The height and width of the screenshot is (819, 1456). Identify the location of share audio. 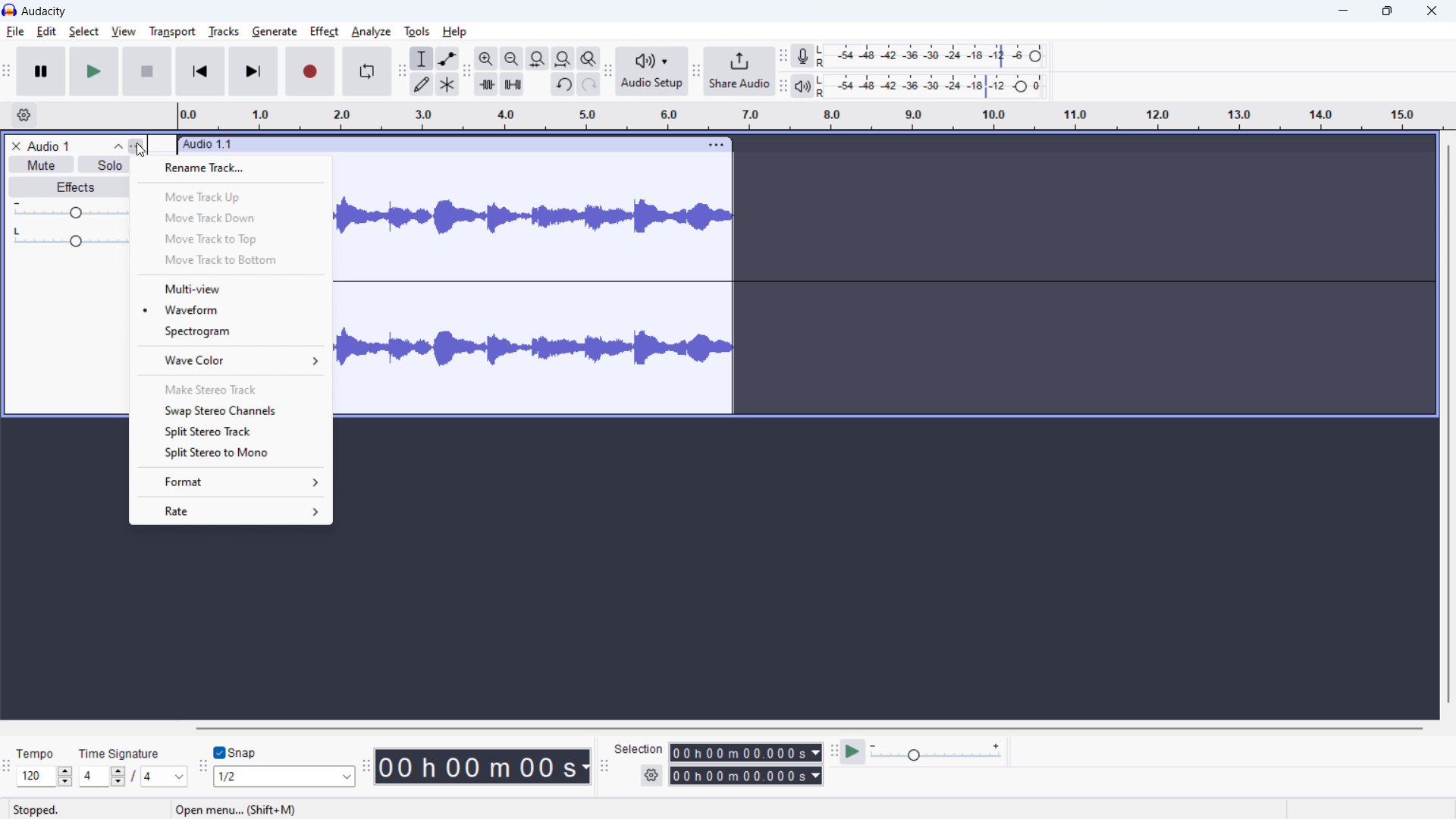
(739, 71).